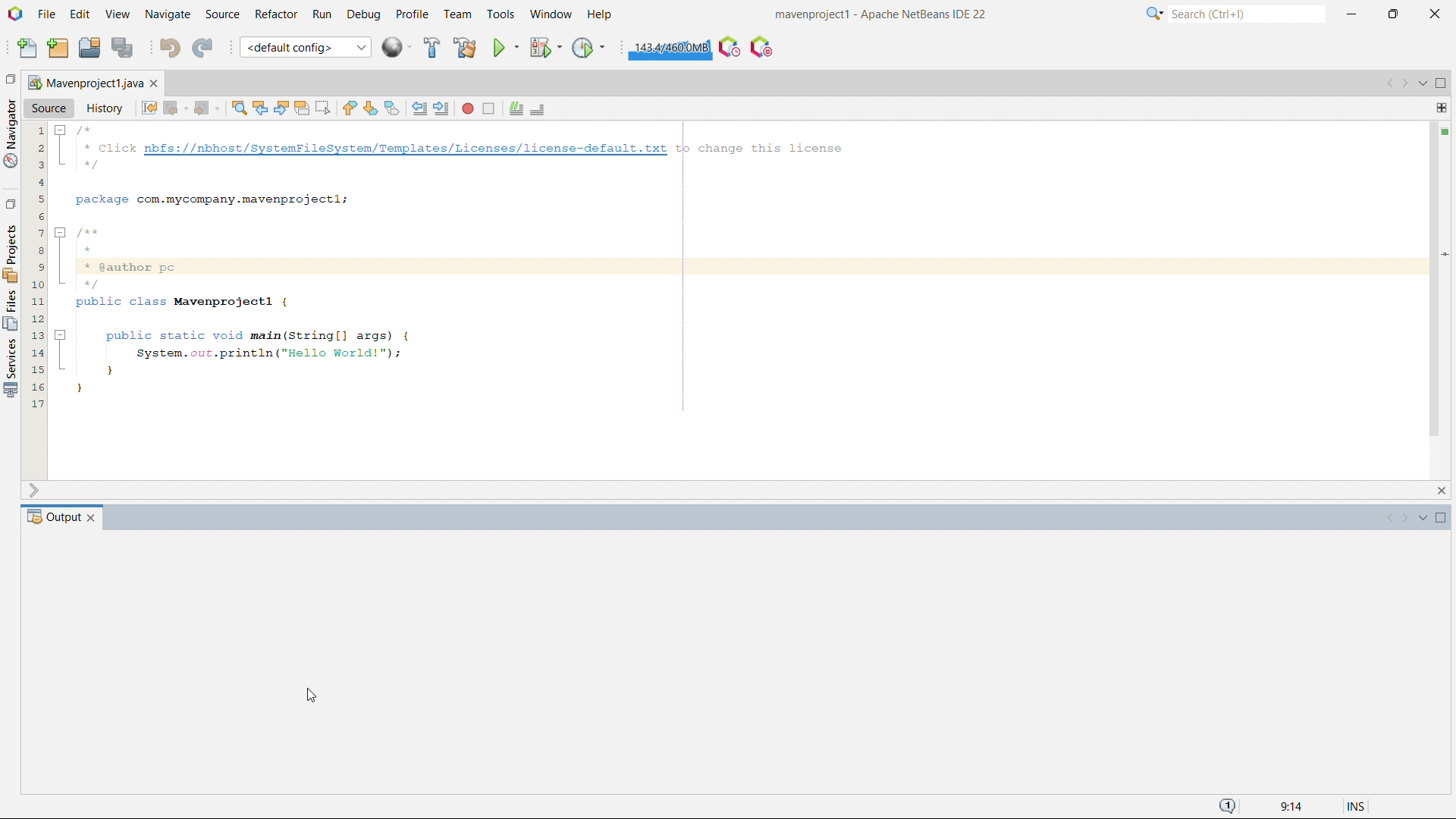 This screenshot has height=819, width=1456. I want to click on maximize, so click(1392, 14).